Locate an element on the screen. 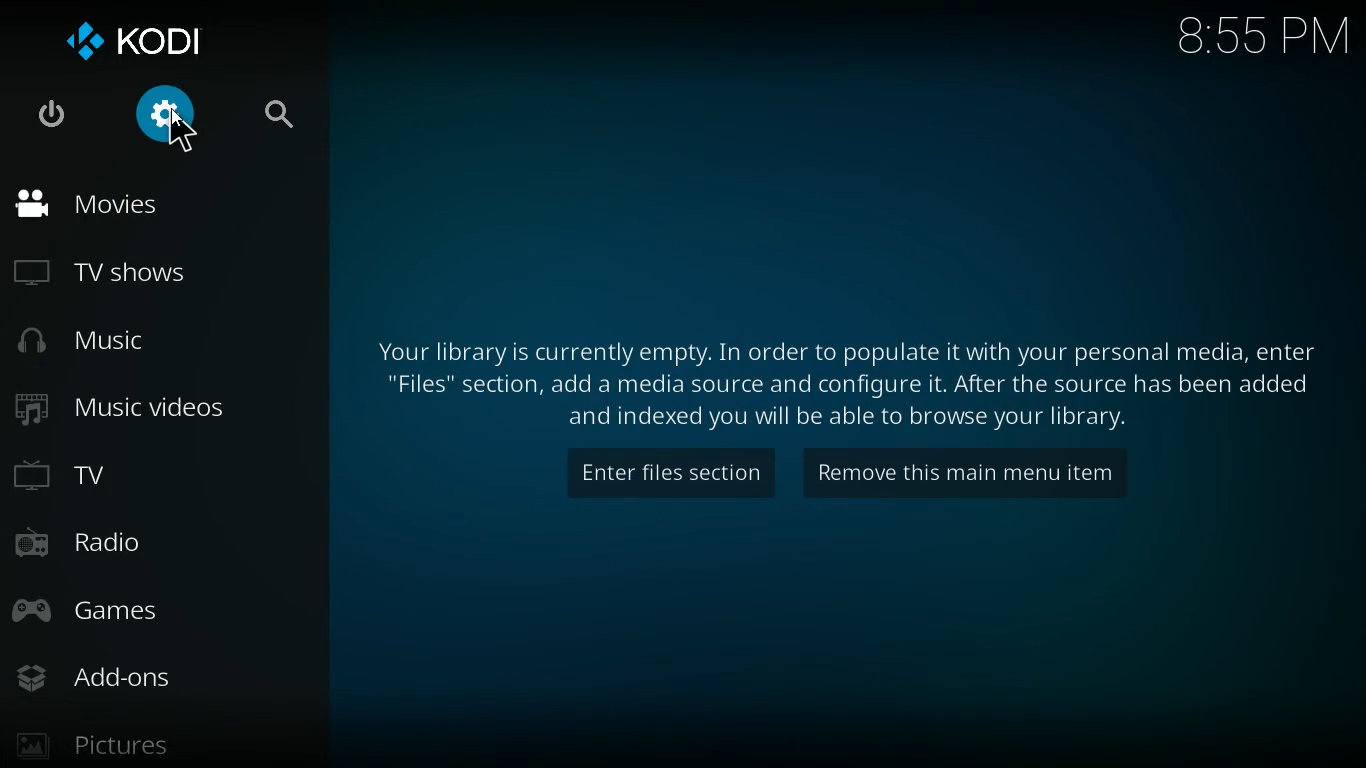  search is located at coordinates (268, 116).